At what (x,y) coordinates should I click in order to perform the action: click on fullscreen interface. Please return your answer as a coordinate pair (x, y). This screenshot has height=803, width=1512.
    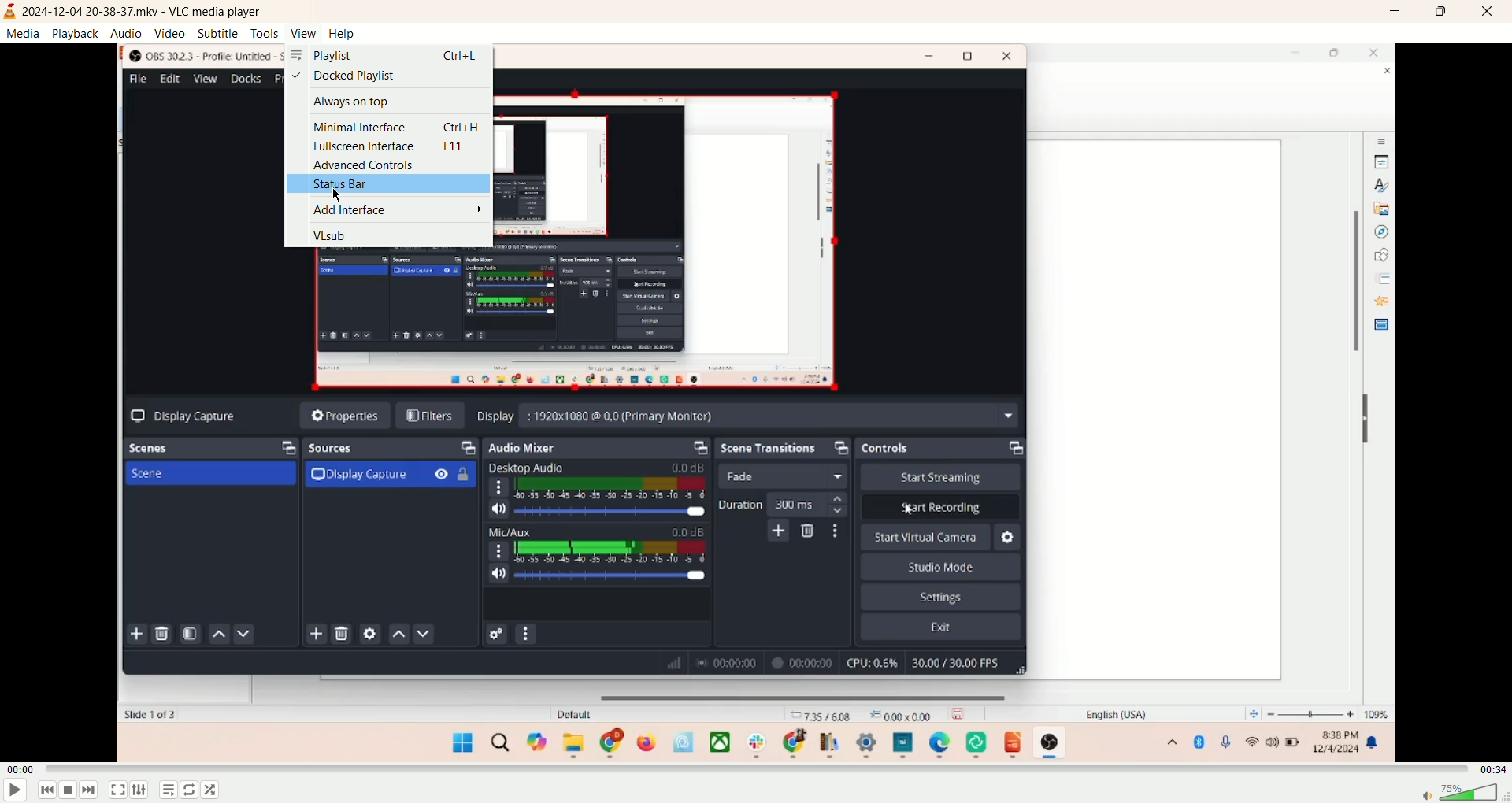
    Looking at the image, I should click on (387, 147).